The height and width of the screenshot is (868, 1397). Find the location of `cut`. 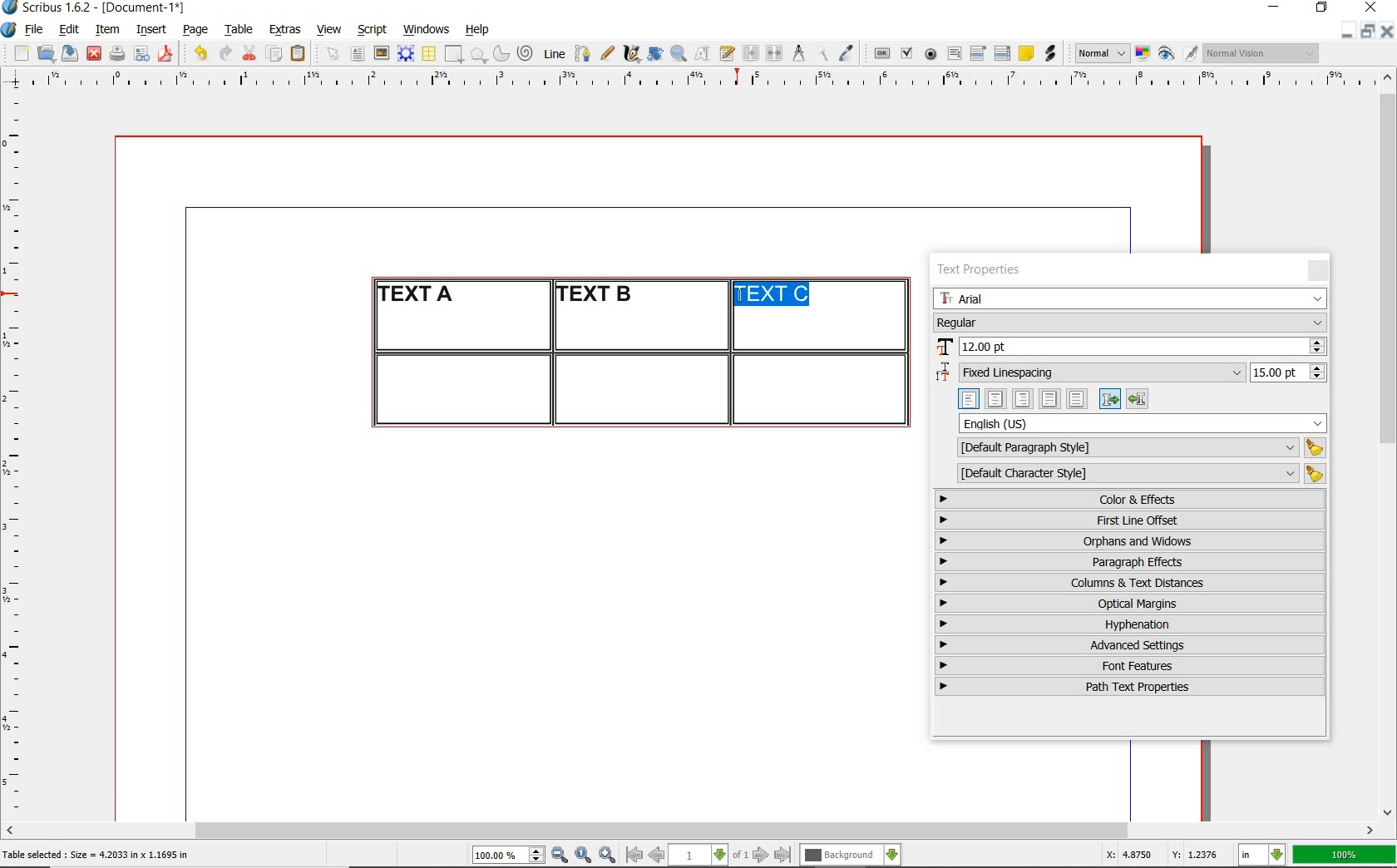

cut is located at coordinates (249, 52).